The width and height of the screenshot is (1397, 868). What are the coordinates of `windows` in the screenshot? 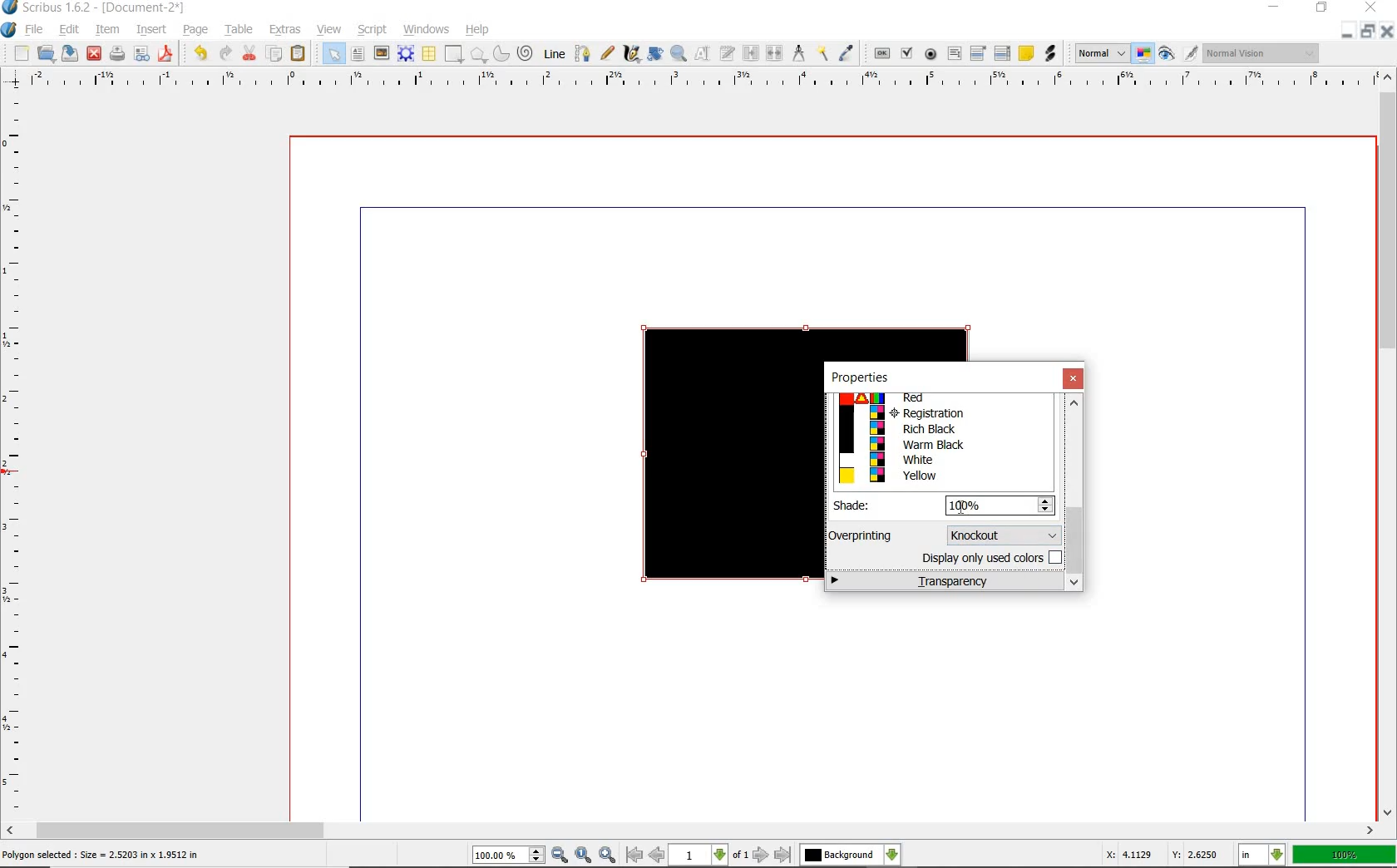 It's located at (423, 29).